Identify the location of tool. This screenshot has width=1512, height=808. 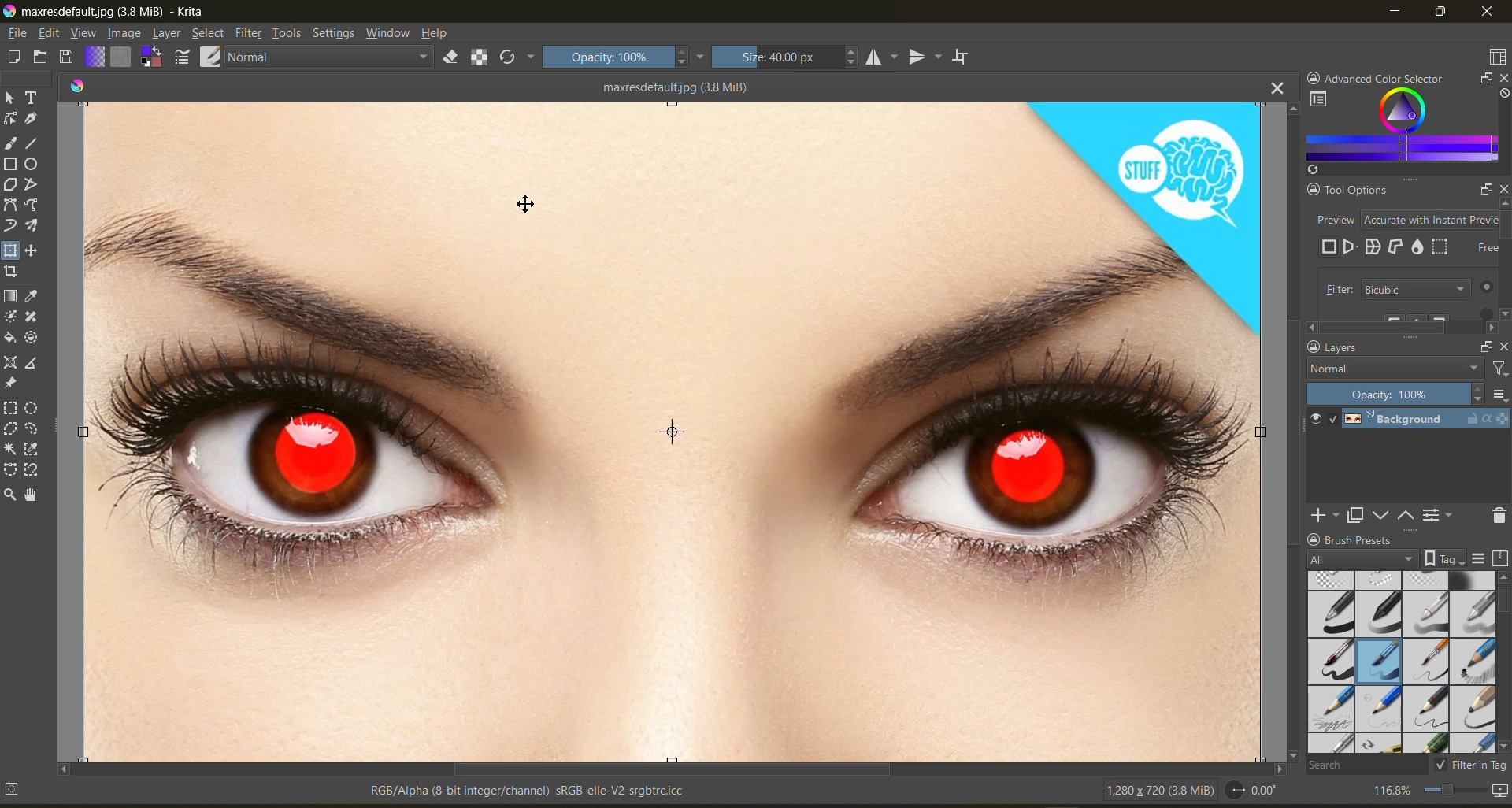
(10, 447).